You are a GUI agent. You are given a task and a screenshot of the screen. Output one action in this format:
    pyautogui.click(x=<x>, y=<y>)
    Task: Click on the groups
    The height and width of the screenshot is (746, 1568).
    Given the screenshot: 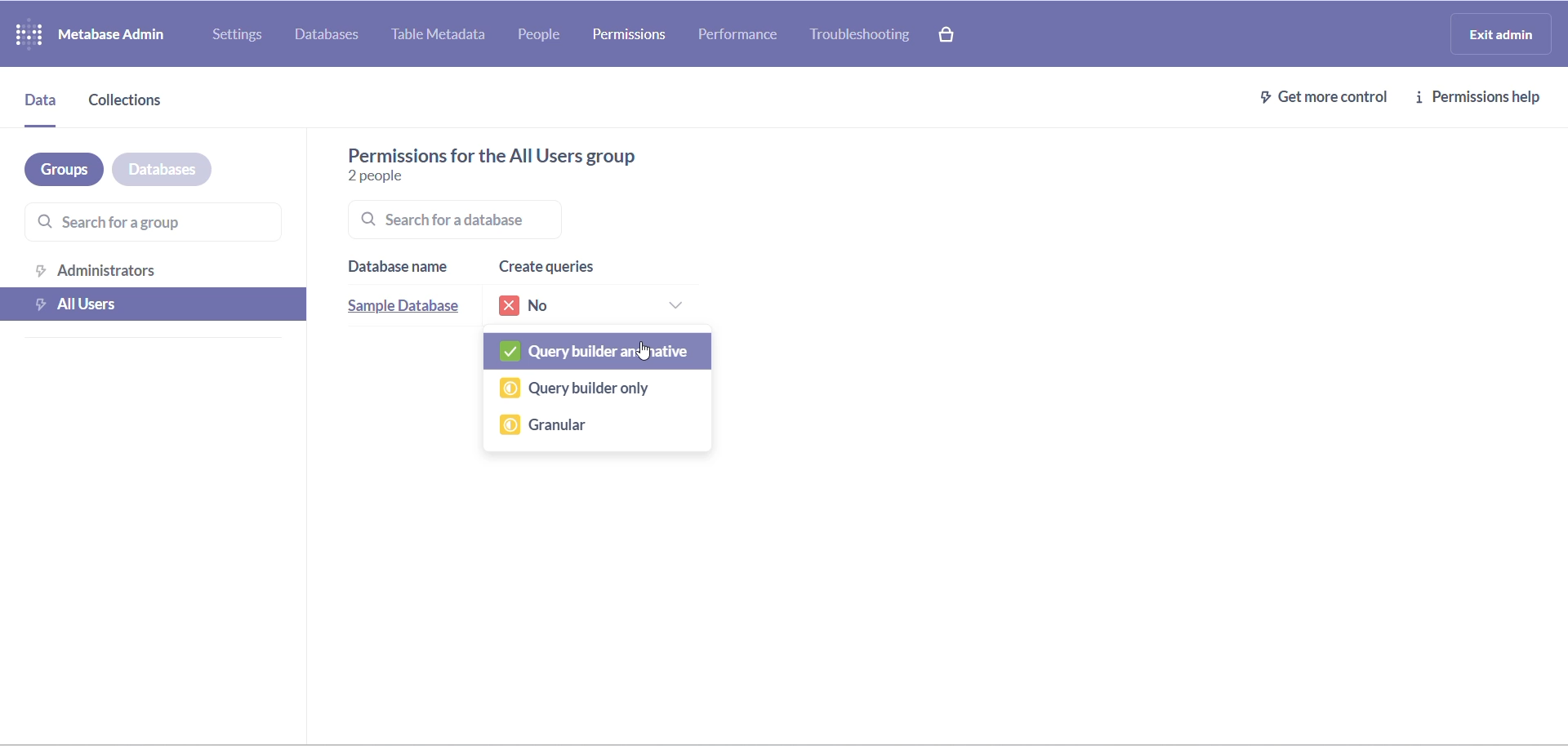 What is the action you would take?
    pyautogui.click(x=58, y=171)
    